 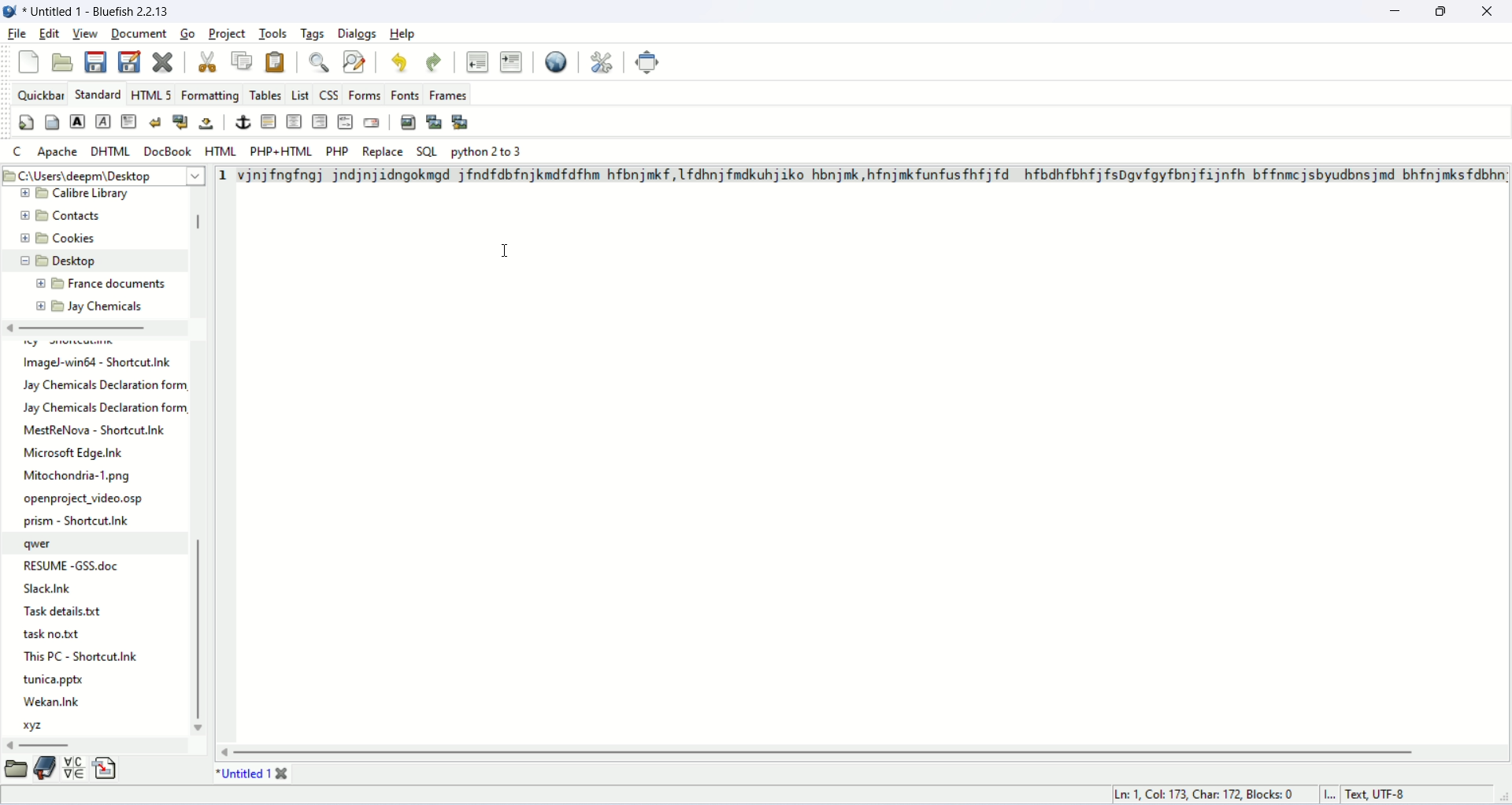 I want to click on tags, so click(x=313, y=32).